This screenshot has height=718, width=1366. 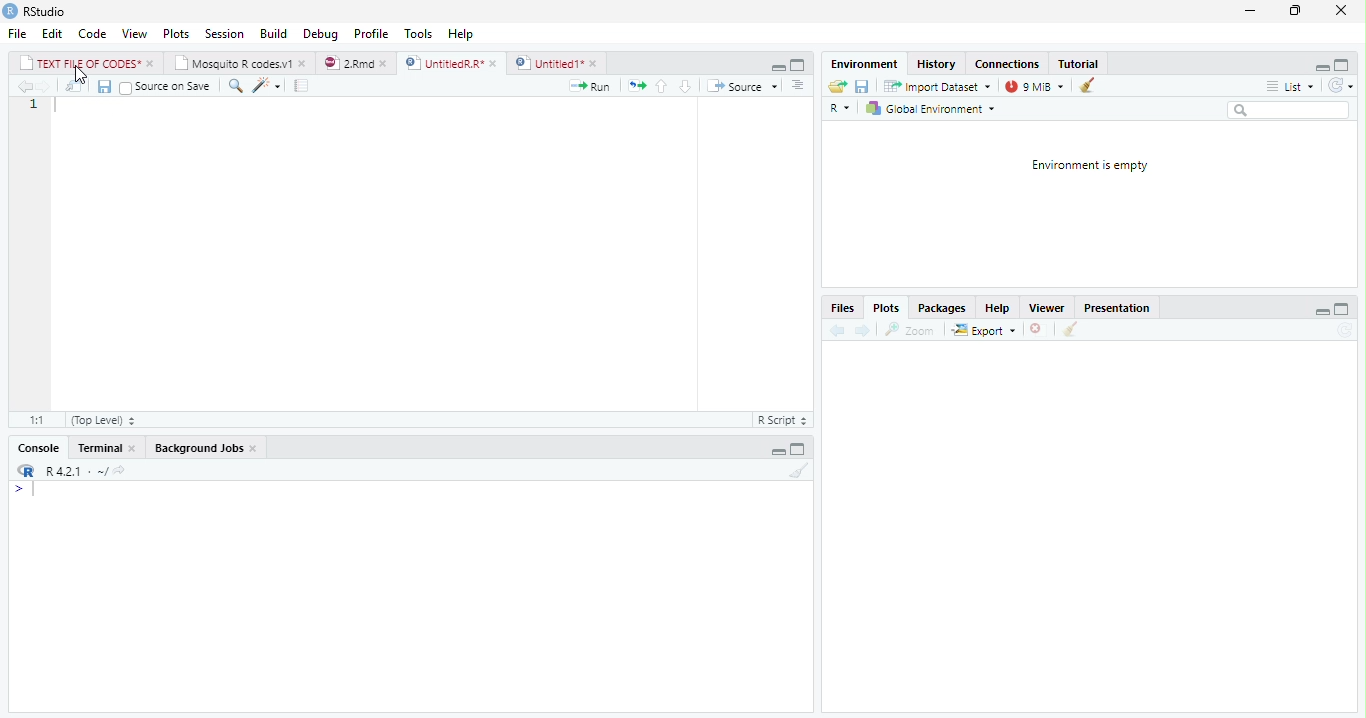 What do you see at coordinates (53, 34) in the screenshot?
I see `Edit` at bounding box center [53, 34].